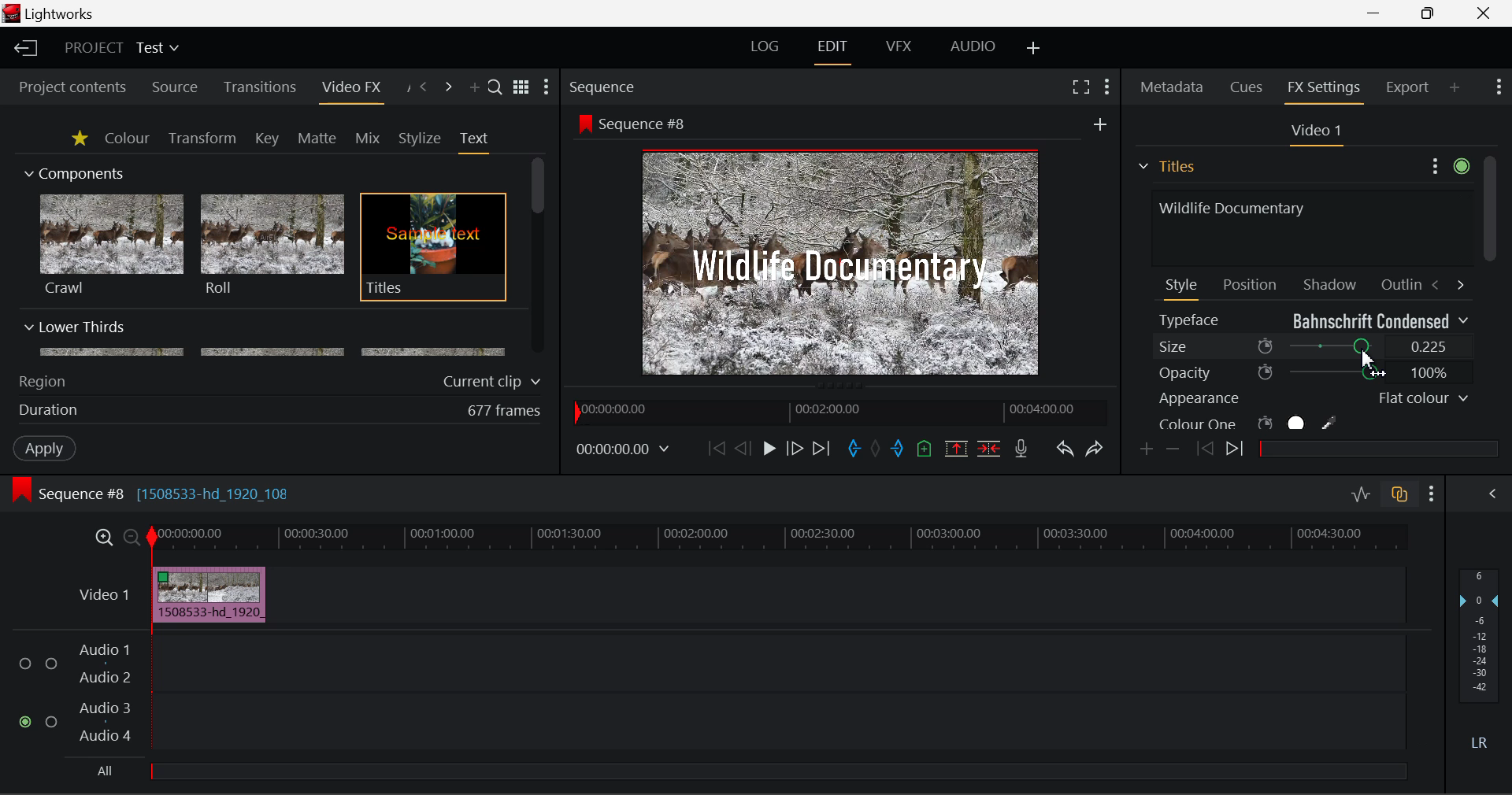 This screenshot has width=1512, height=795. Describe the element at coordinates (839, 409) in the screenshot. I see `Project Timeline Navigator` at that location.